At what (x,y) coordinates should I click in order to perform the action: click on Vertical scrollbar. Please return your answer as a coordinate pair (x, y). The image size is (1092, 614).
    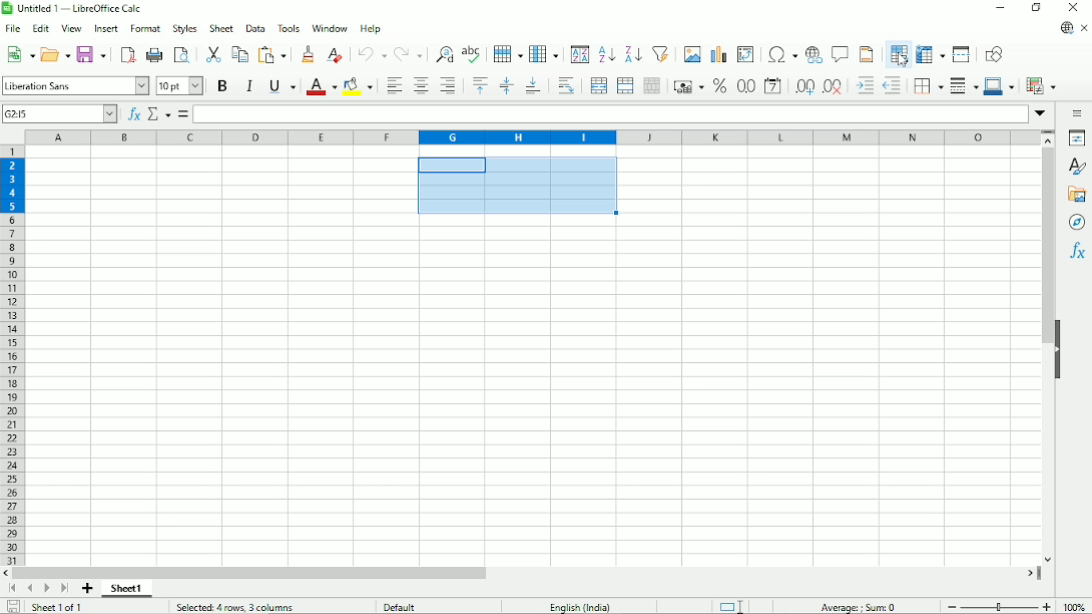
    Looking at the image, I should click on (1043, 248).